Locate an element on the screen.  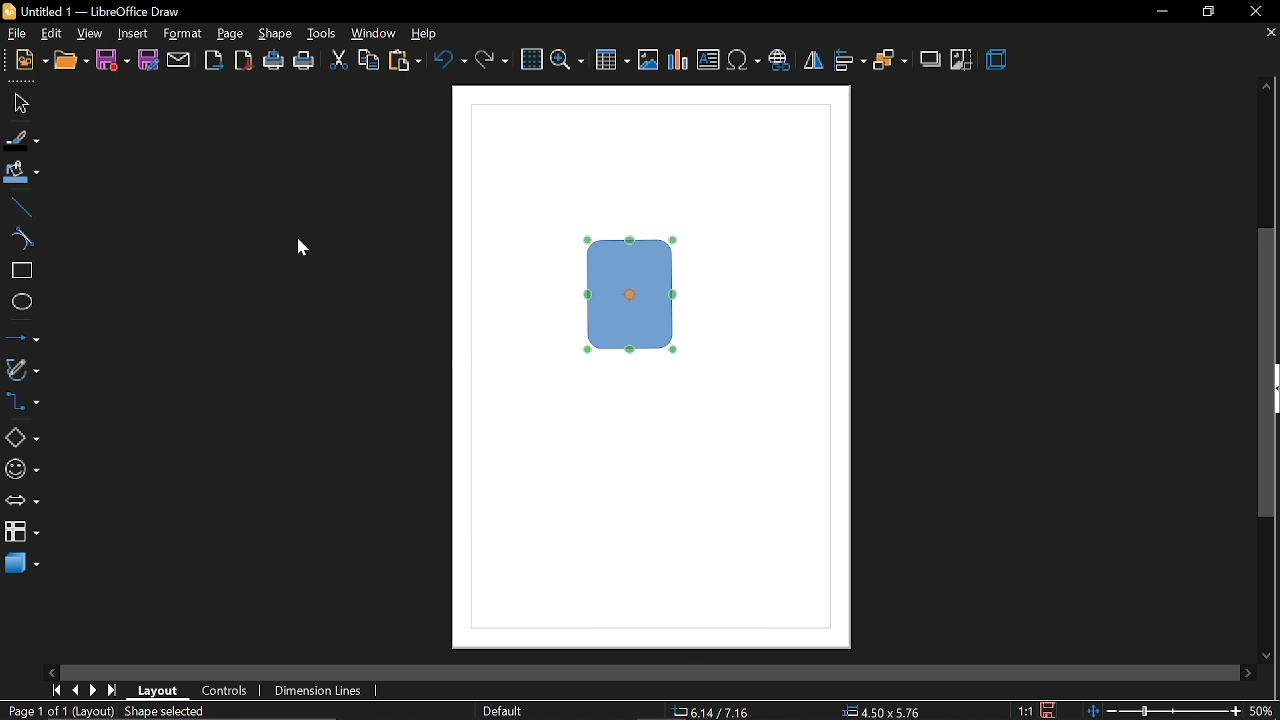
new is located at coordinates (30, 61).